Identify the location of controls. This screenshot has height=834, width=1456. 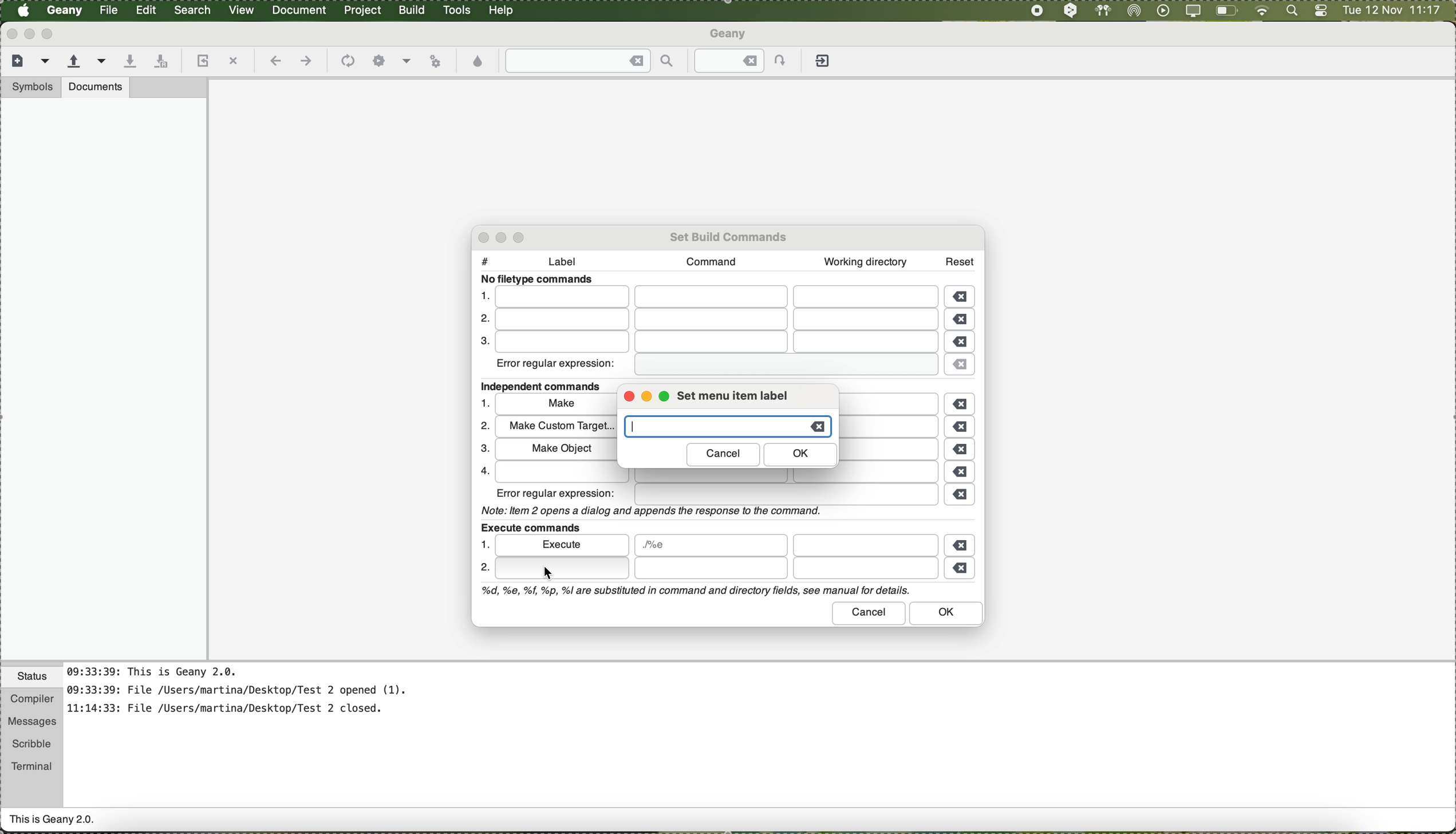
(1321, 11).